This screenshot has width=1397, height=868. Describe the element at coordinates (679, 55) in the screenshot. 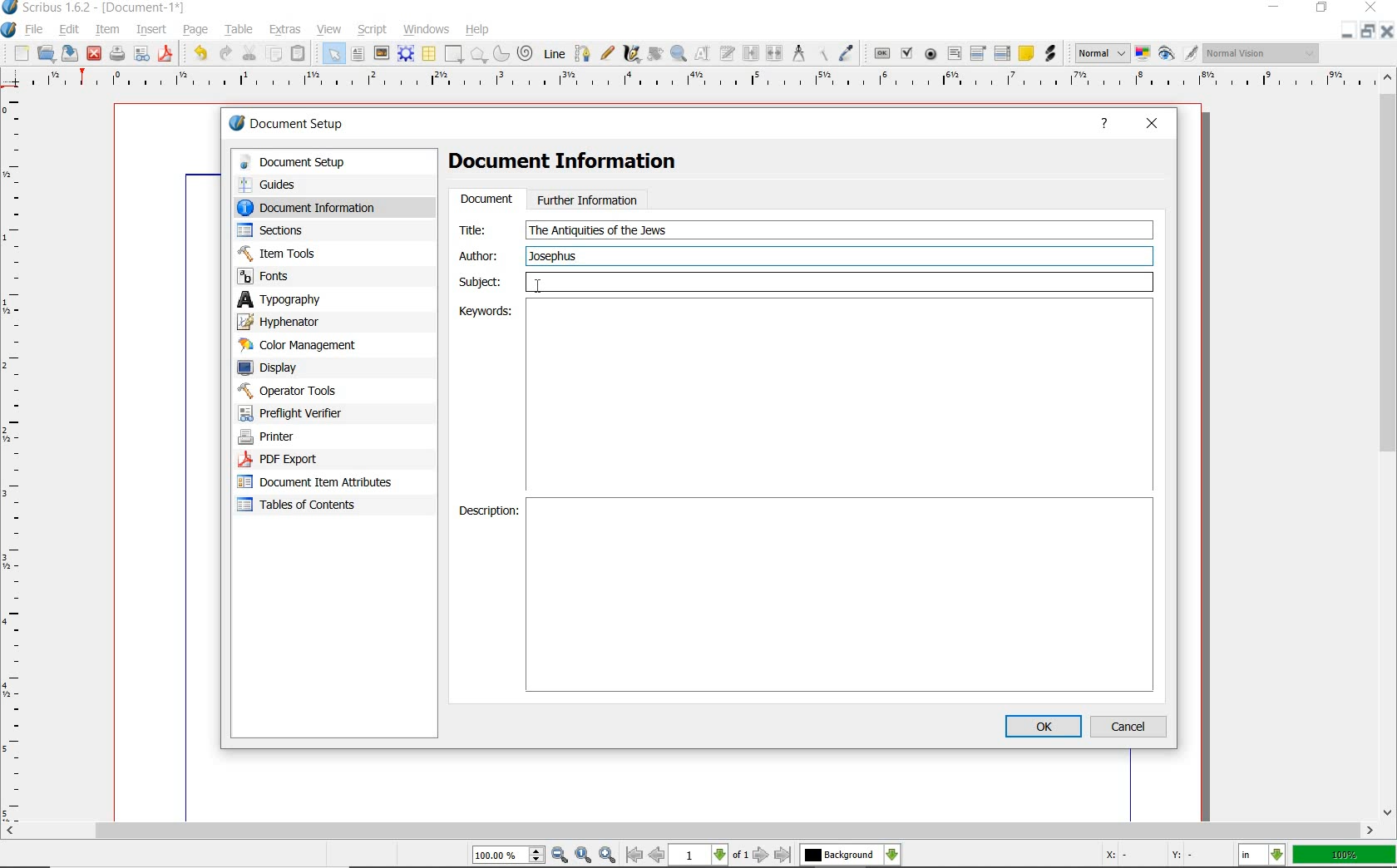

I see `zoom in or zoom out` at that location.